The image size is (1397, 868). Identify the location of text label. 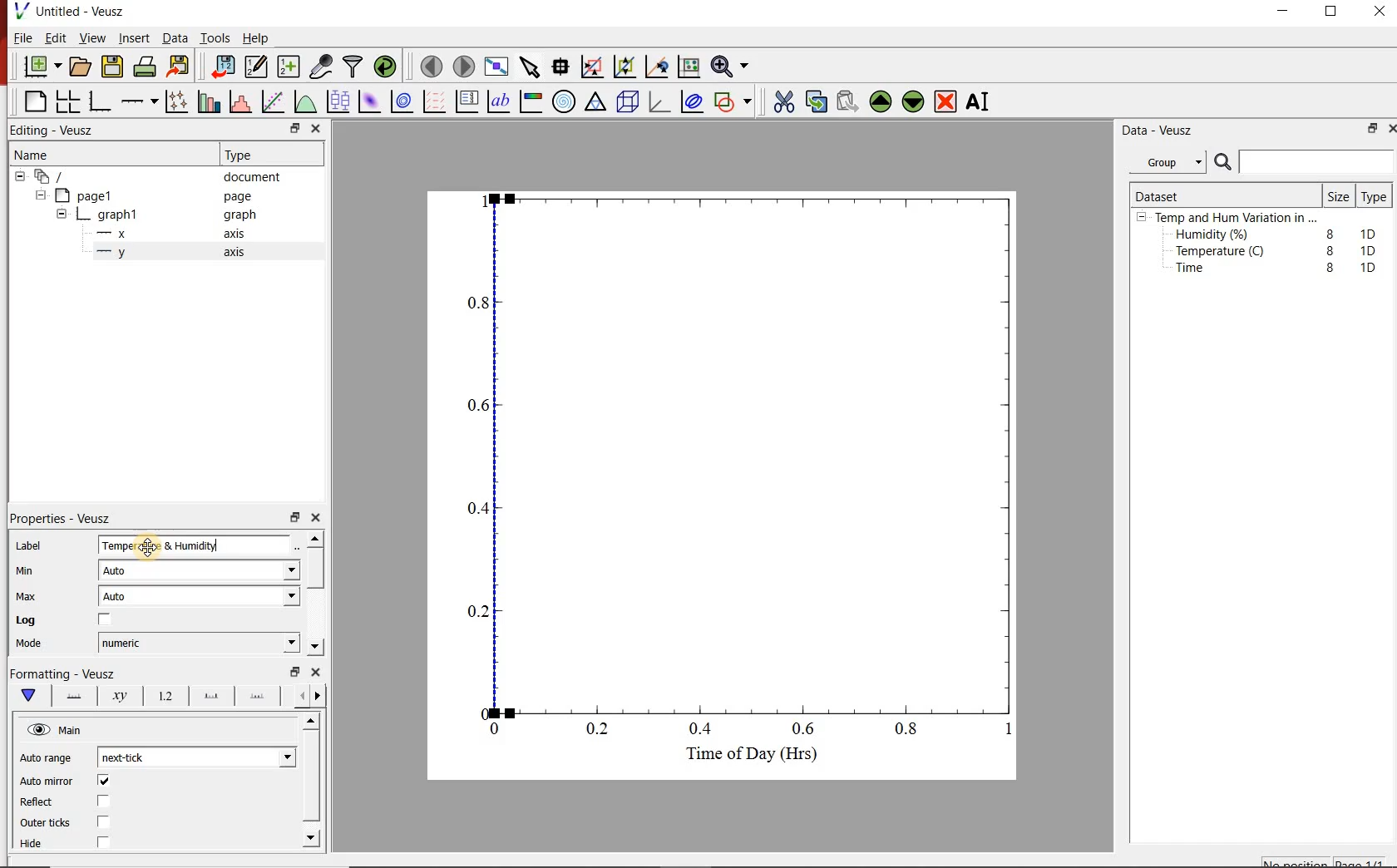
(502, 101).